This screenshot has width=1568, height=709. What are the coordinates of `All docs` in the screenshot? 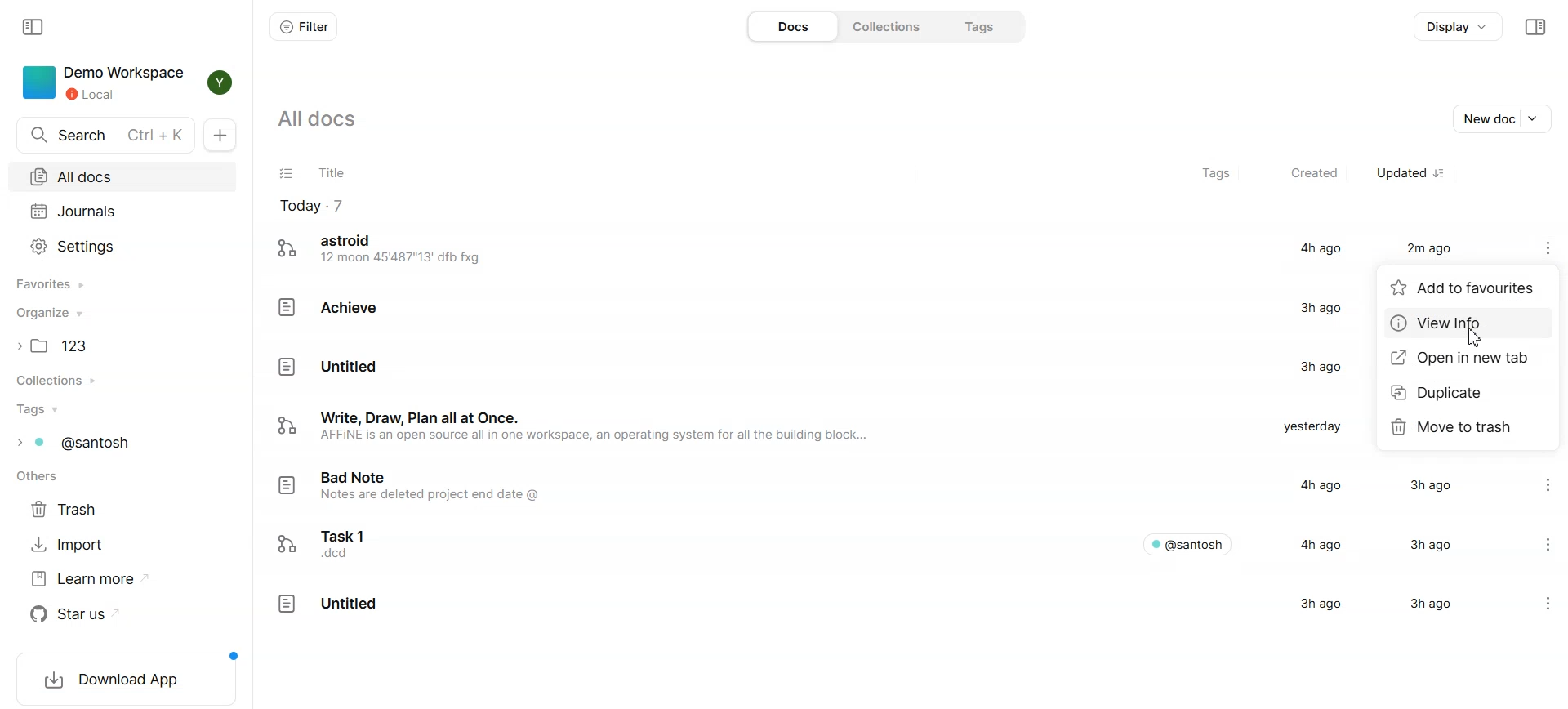 It's located at (123, 177).